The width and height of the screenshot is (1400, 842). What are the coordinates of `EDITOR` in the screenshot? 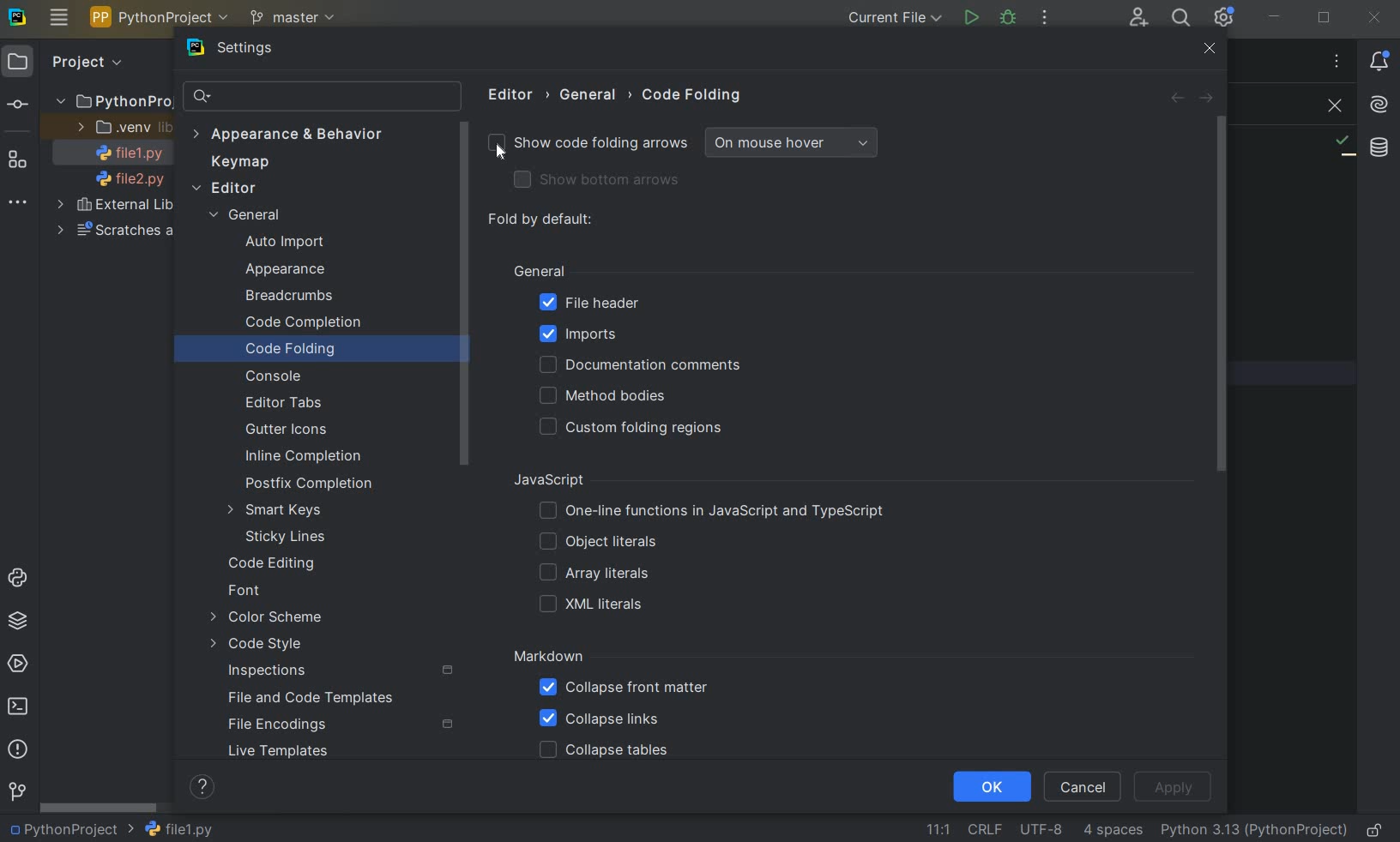 It's located at (514, 94).